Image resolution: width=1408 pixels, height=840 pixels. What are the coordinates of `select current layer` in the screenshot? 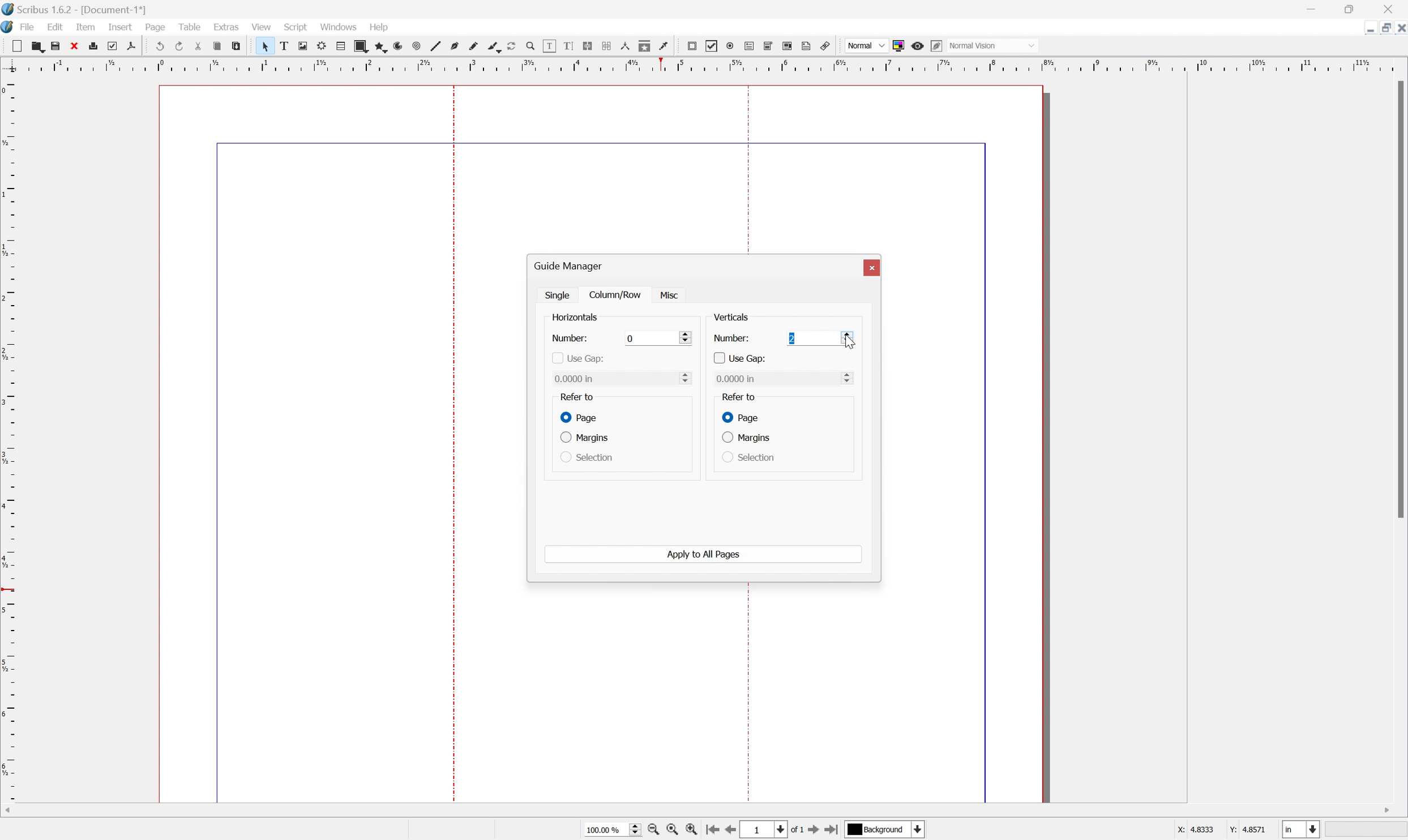 It's located at (883, 829).